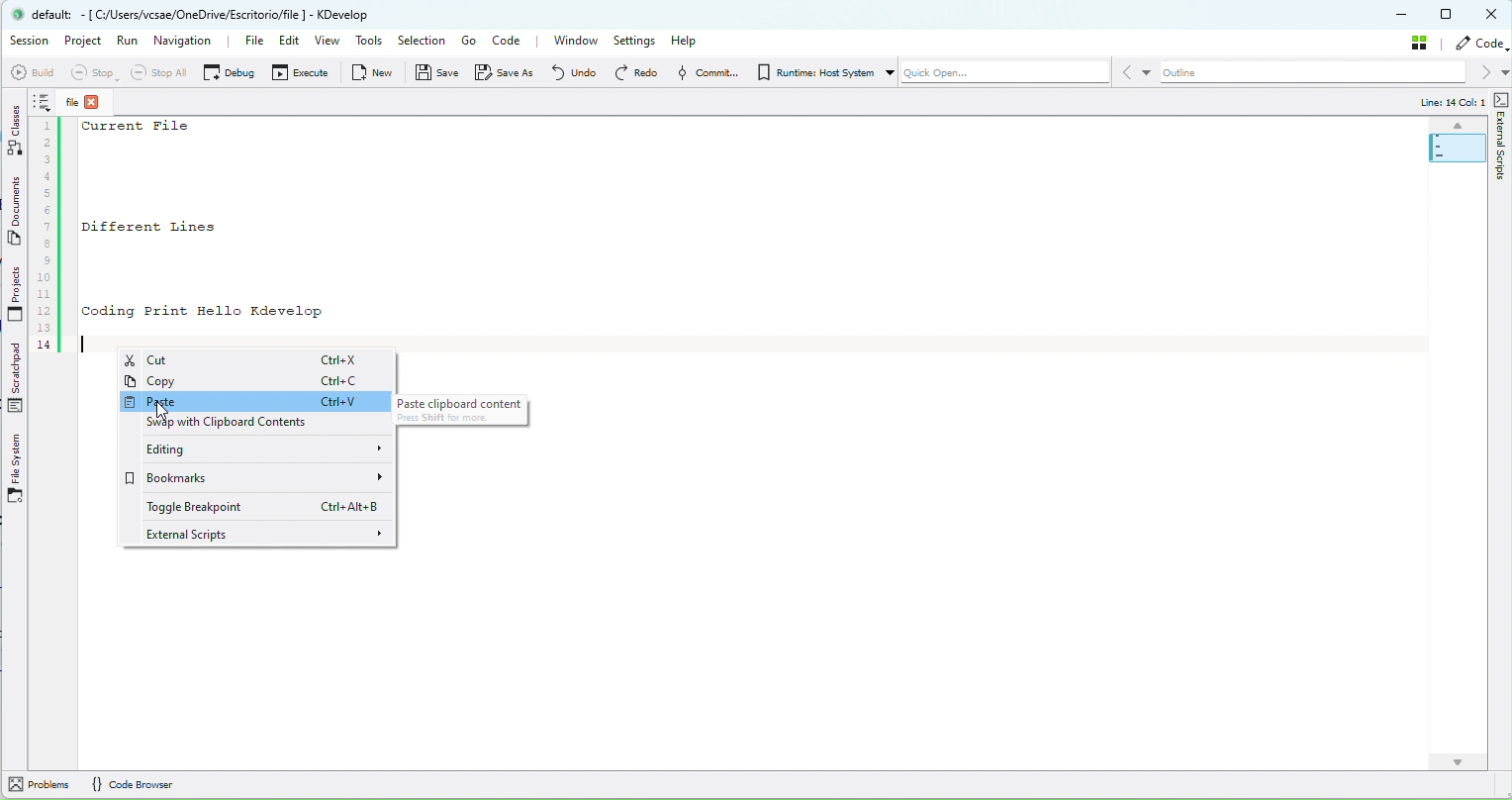 Image resolution: width=1512 pixels, height=800 pixels. I want to click on Minimap, so click(1450, 143).